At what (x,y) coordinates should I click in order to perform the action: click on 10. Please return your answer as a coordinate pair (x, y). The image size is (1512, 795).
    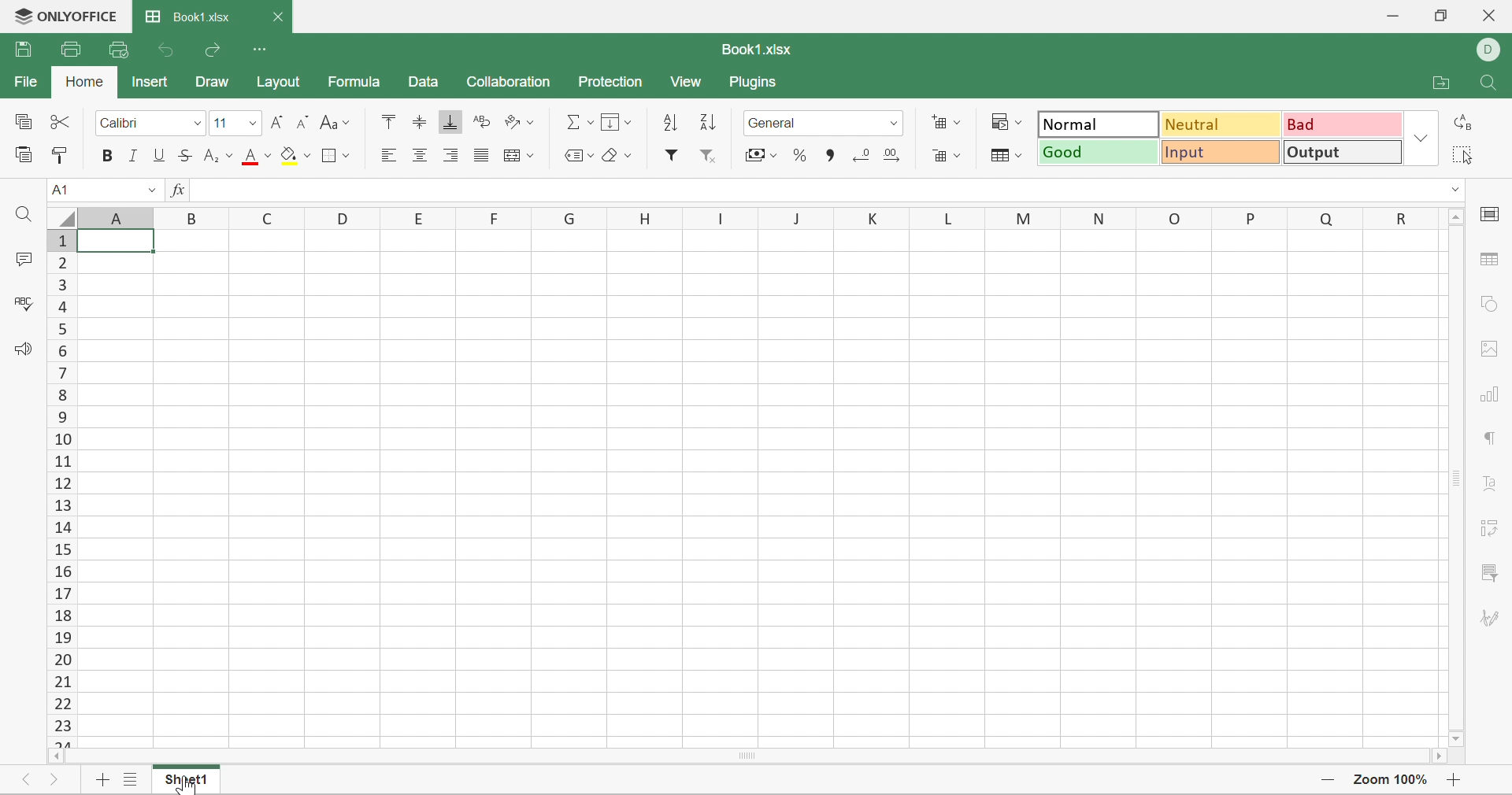
    Looking at the image, I should click on (61, 442).